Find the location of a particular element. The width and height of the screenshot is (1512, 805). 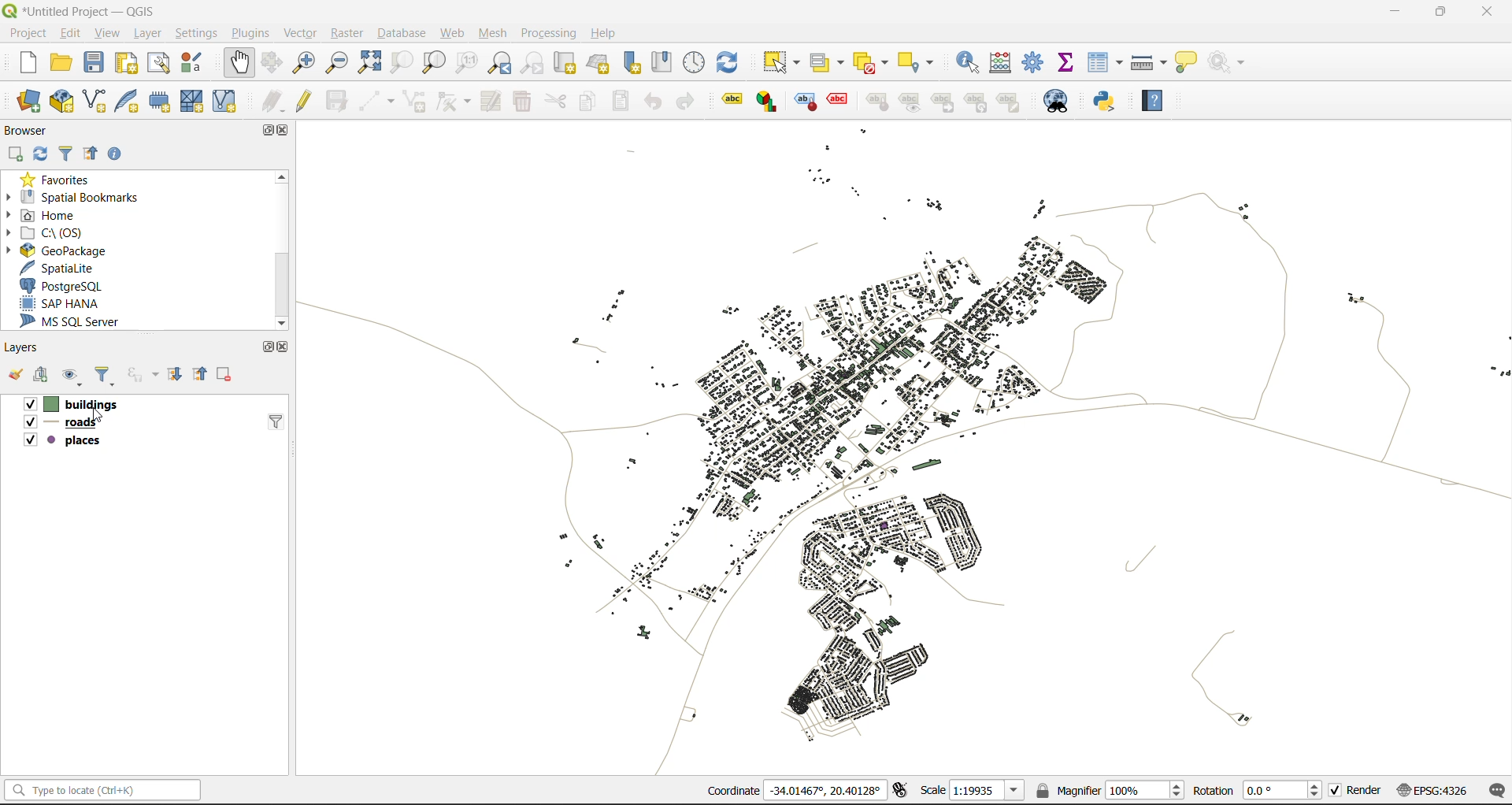

new 3d map view is located at coordinates (600, 65).